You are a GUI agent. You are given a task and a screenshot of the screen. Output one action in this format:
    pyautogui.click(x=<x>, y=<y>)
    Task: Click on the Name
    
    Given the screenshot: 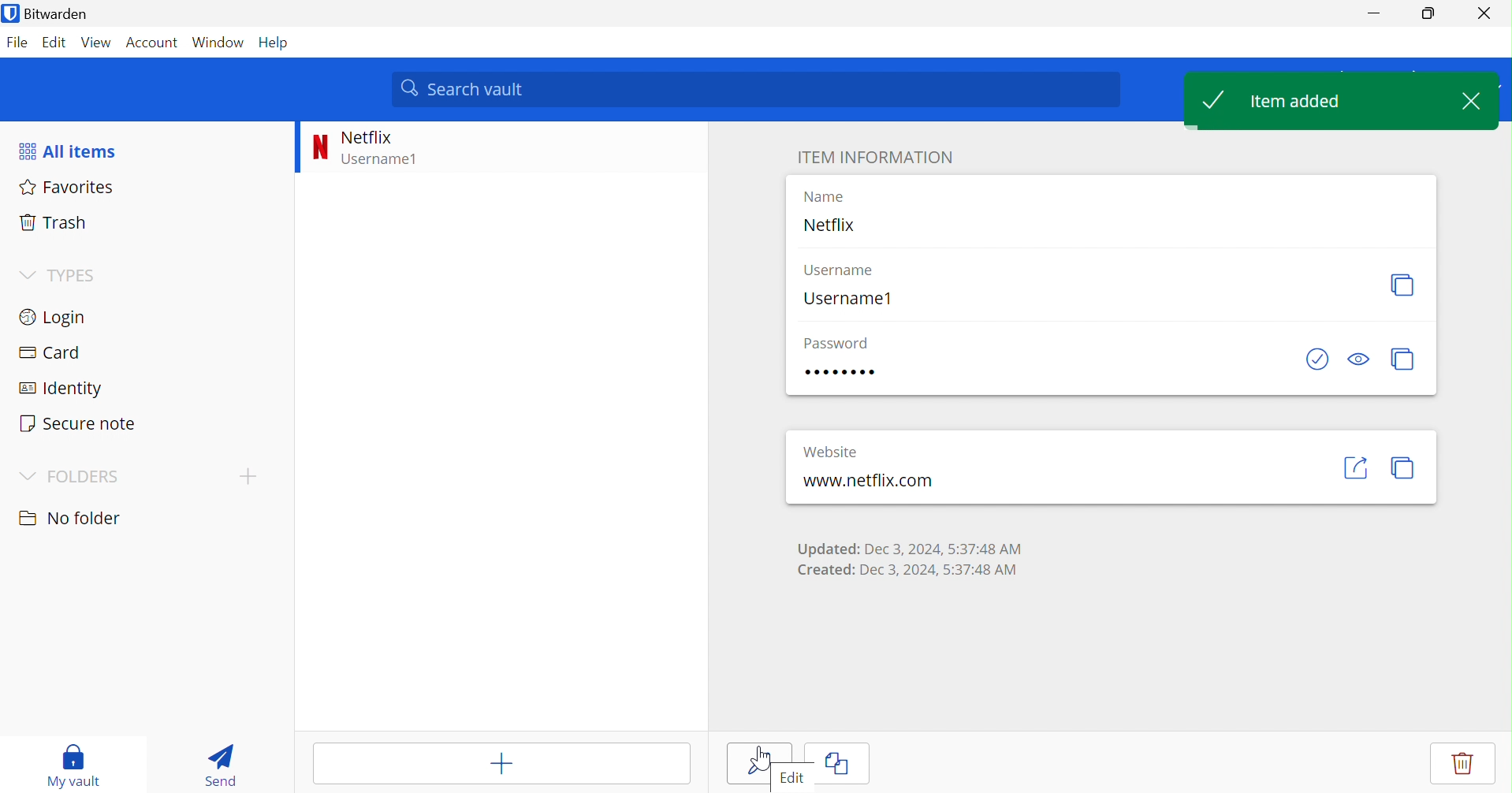 What is the action you would take?
    pyautogui.click(x=824, y=195)
    